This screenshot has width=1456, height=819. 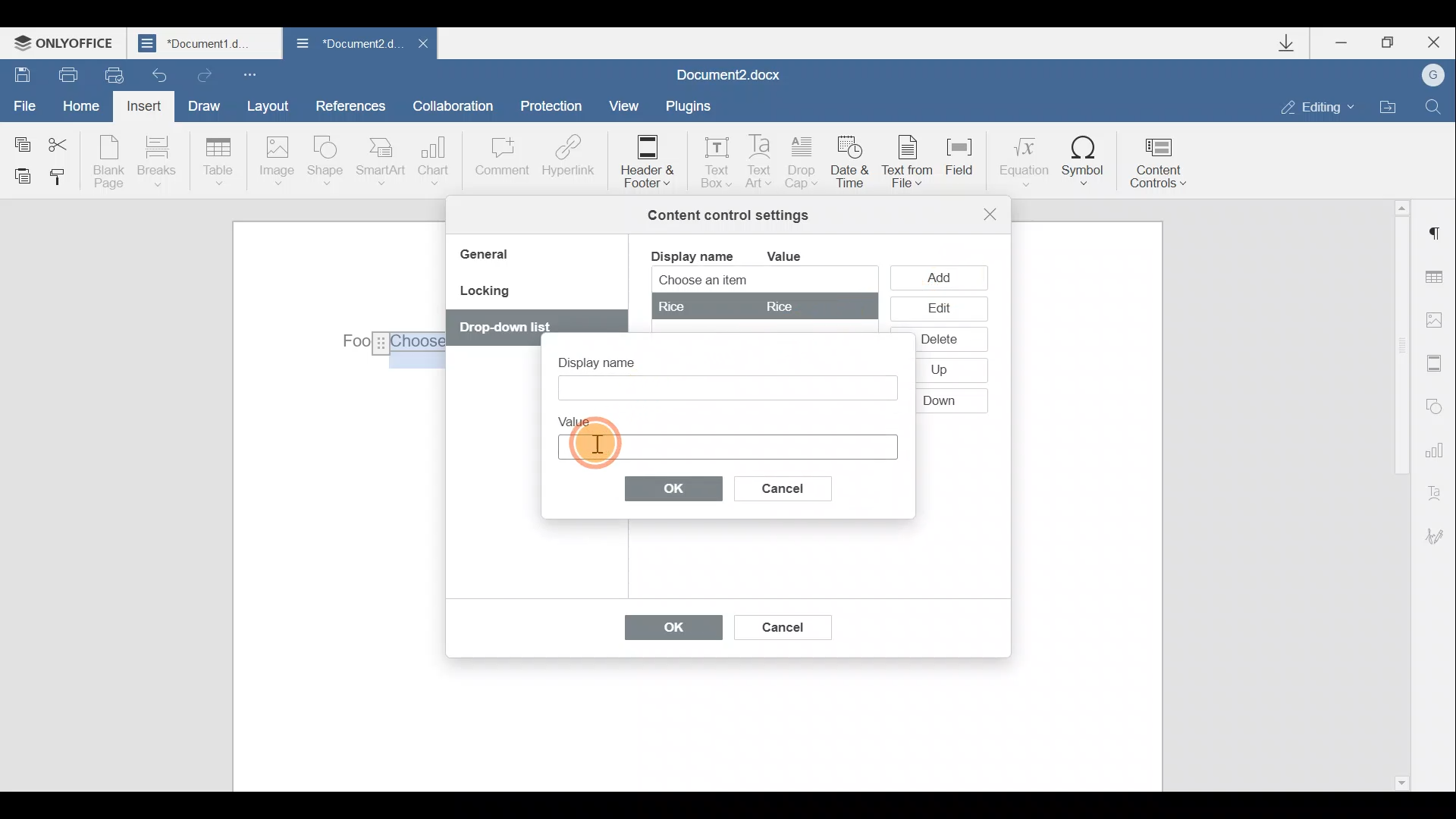 What do you see at coordinates (761, 162) in the screenshot?
I see `Text Art` at bounding box center [761, 162].